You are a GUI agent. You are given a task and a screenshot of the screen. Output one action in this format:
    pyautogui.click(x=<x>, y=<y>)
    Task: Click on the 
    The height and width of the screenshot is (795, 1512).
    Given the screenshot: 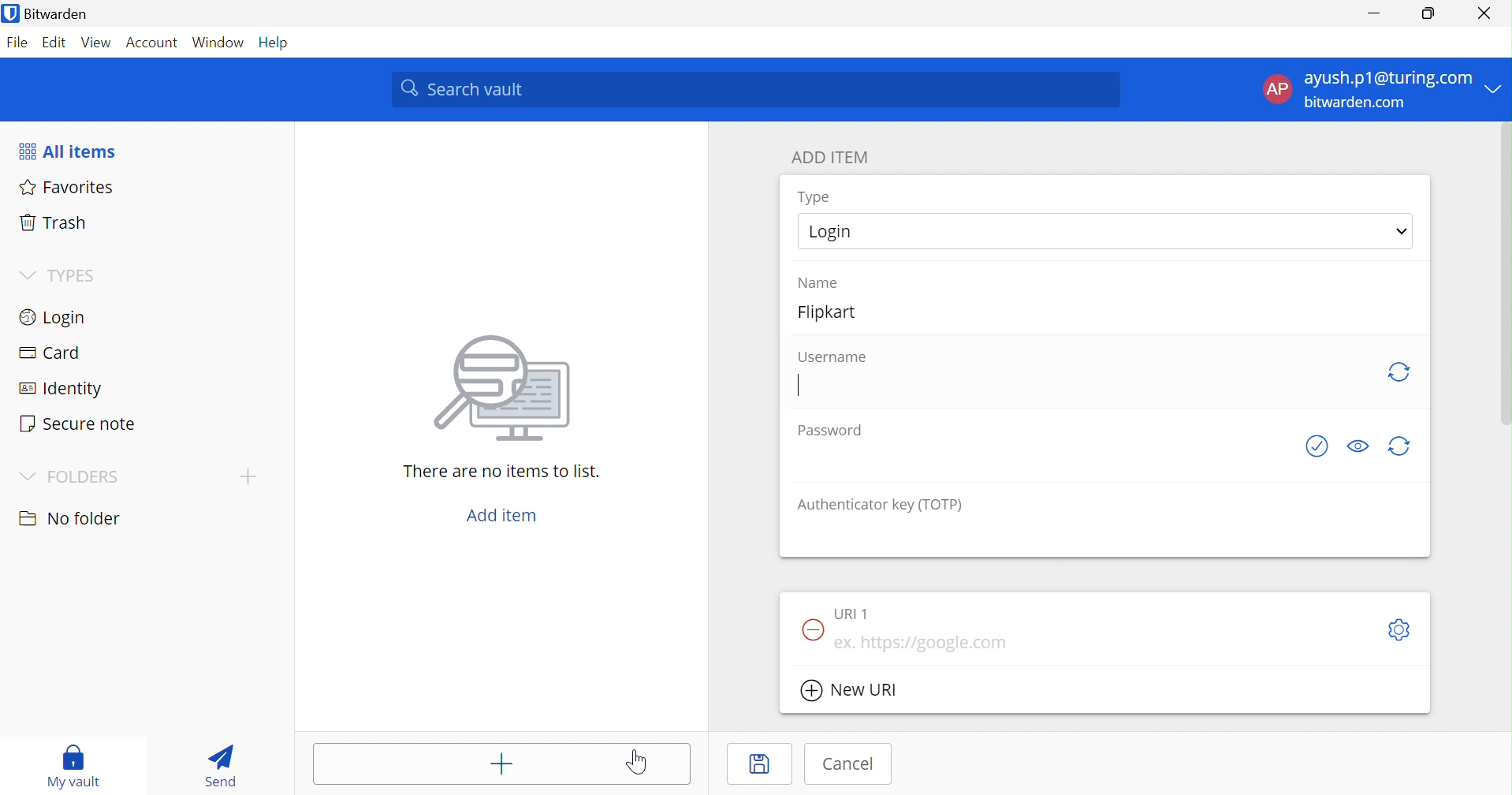 What is the action you would take?
    pyautogui.click(x=810, y=632)
    